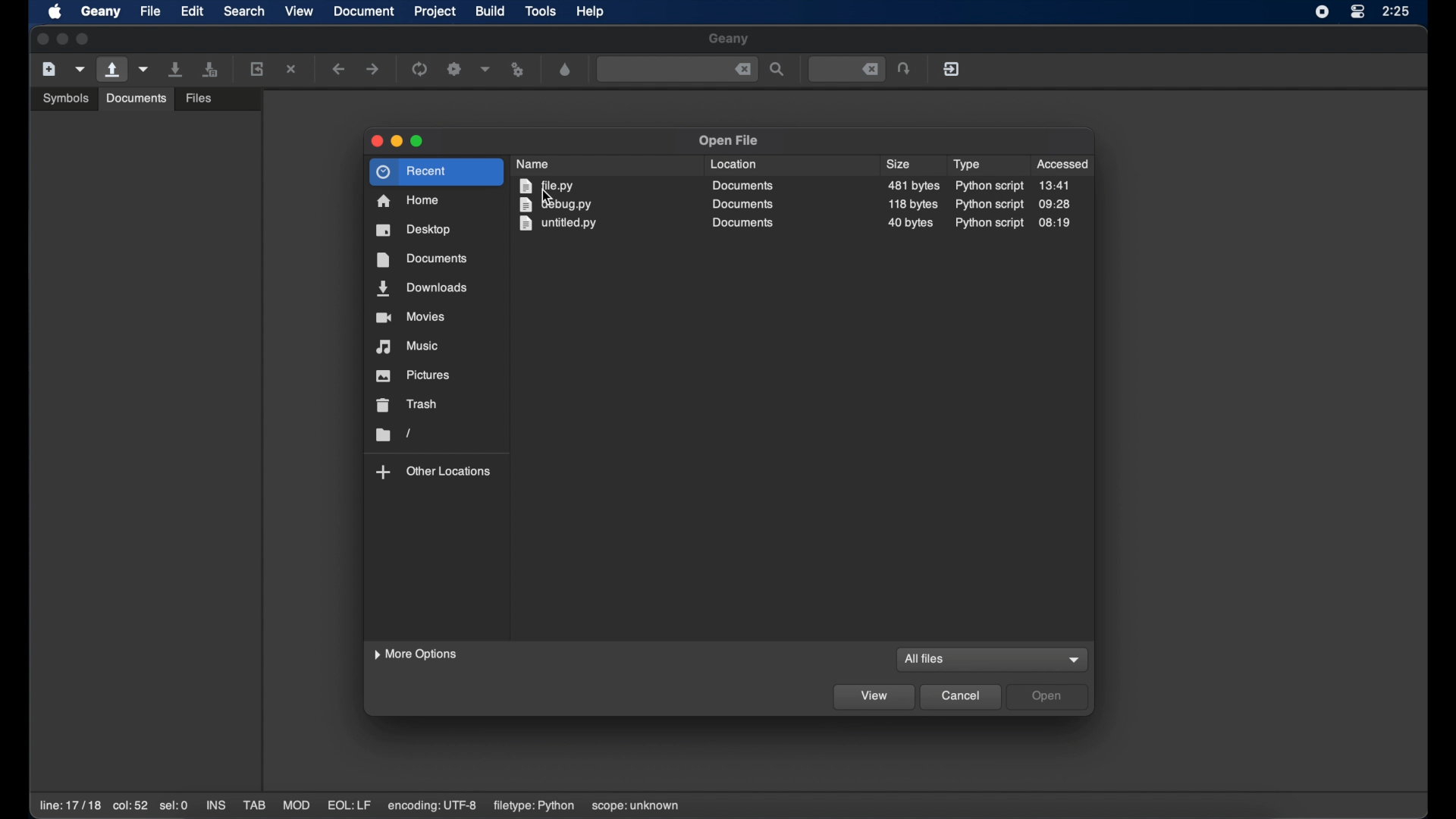  What do you see at coordinates (136, 100) in the screenshot?
I see `` at bounding box center [136, 100].